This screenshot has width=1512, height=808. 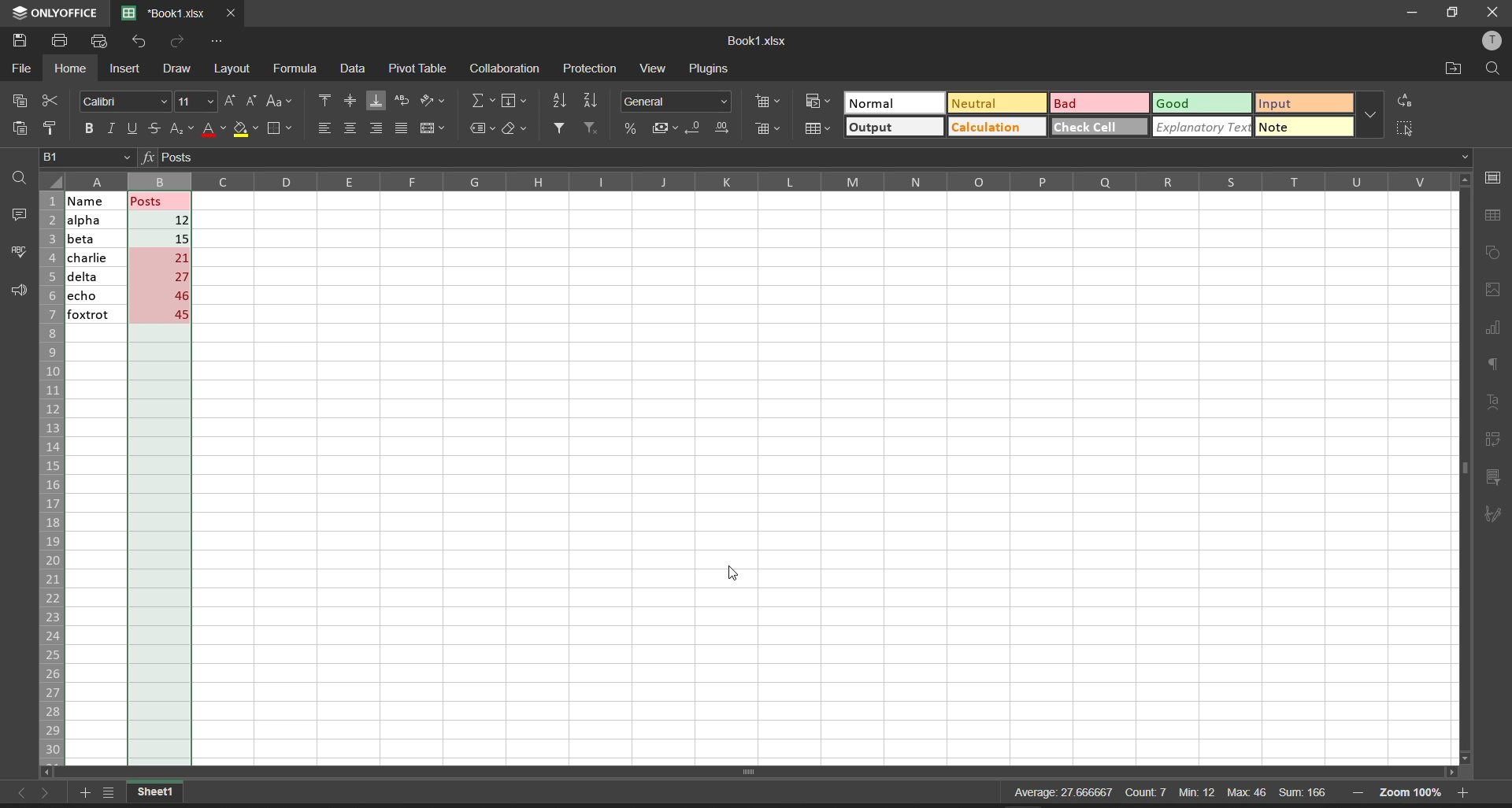 What do you see at coordinates (61, 42) in the screenshot?
I see `print` at bounding box center [61, 42].